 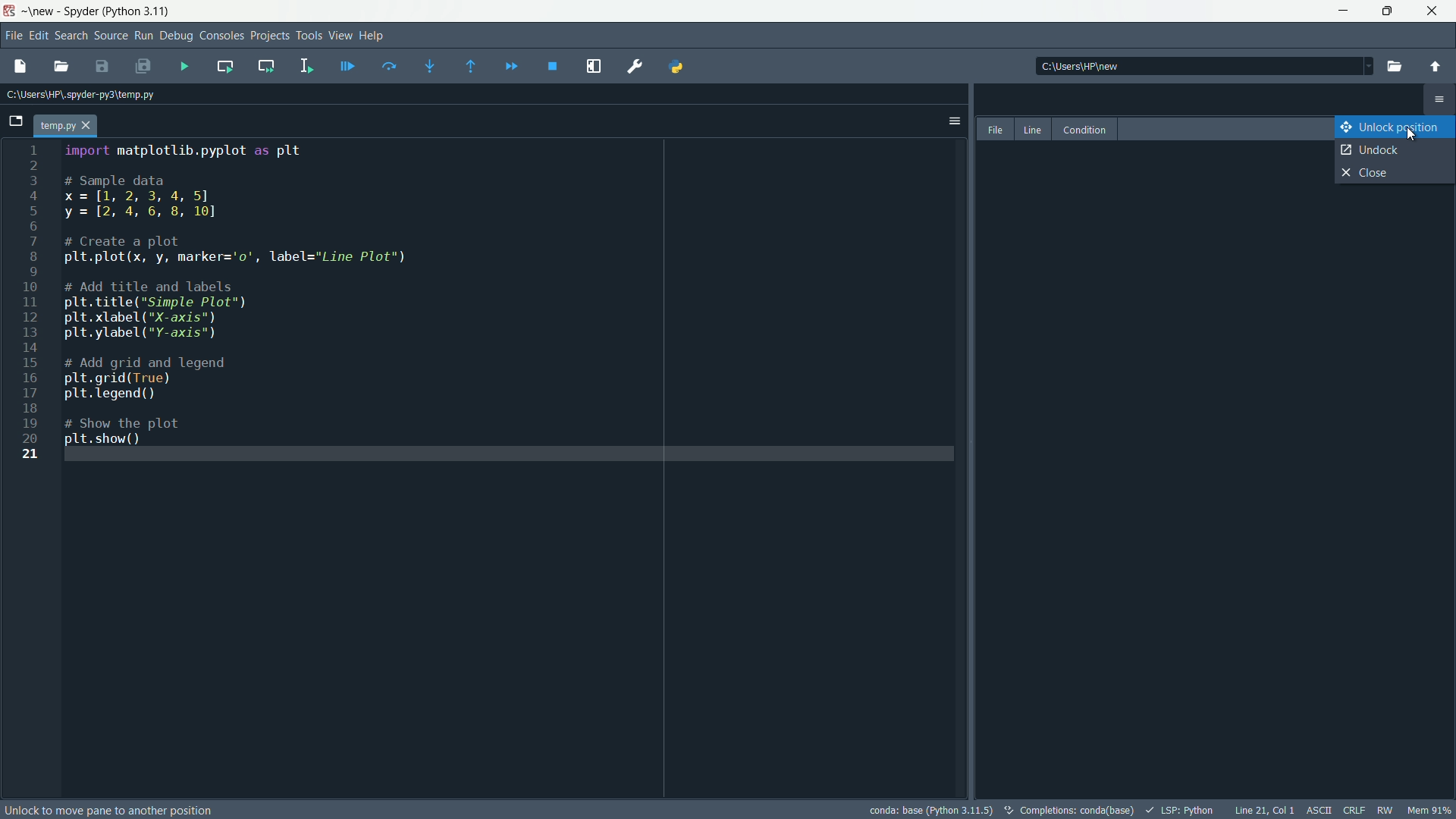 I want to click on browse directory, so click(x=1394, y=66).